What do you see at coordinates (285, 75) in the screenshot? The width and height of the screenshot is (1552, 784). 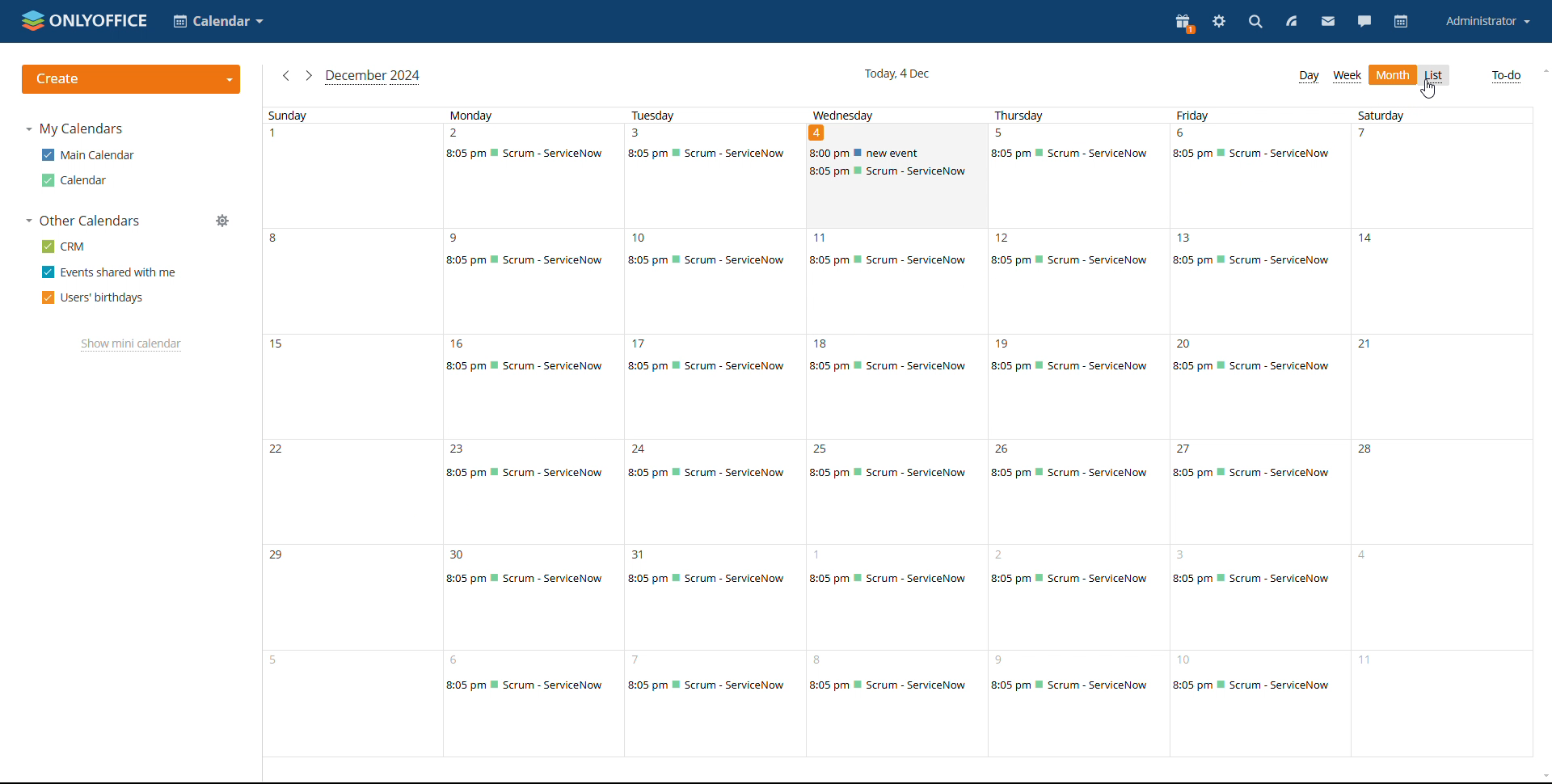 I see `next month` at bounding box center [285, 75].